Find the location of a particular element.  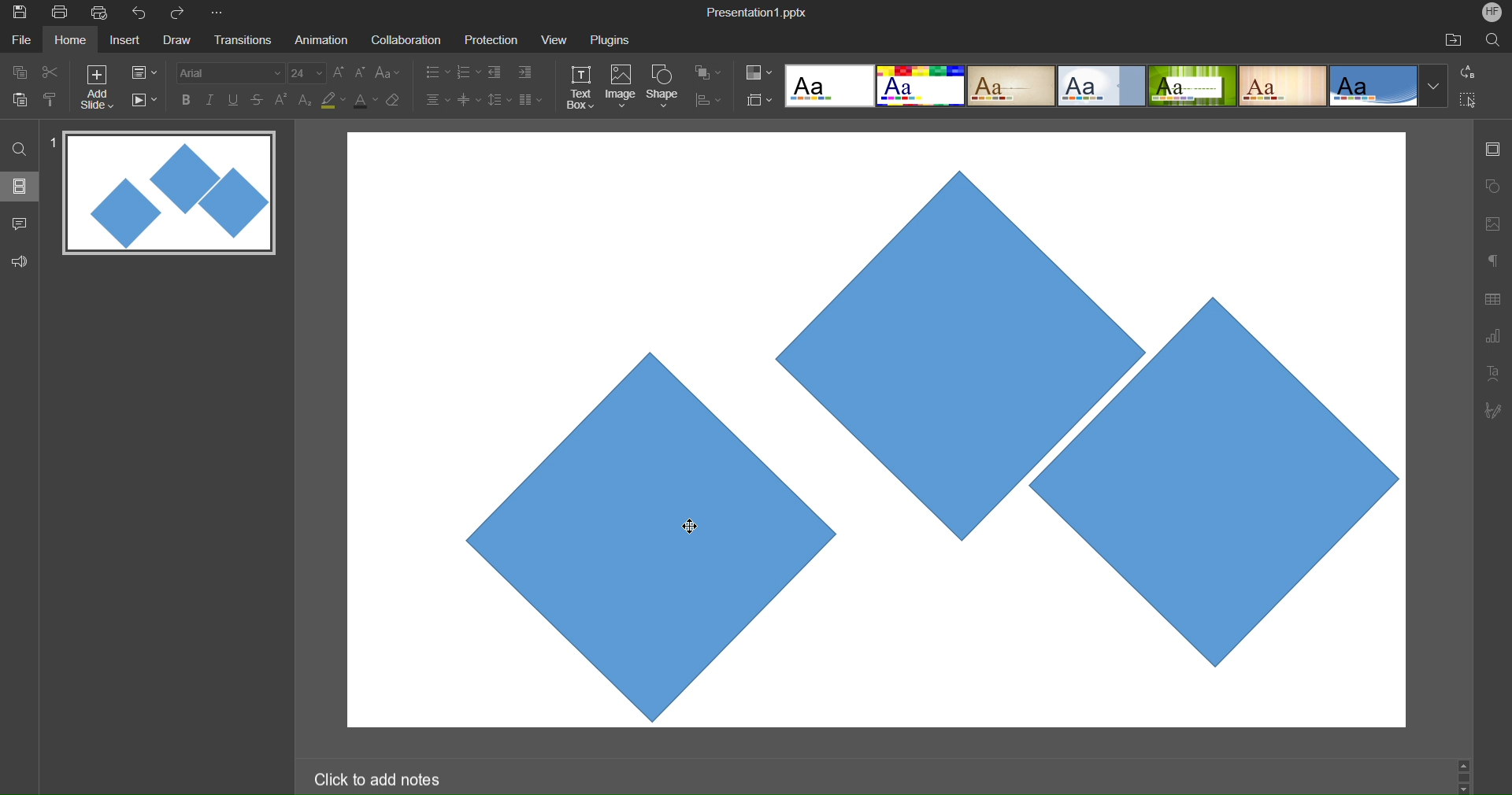

Slide Settings is located at coordinates (1491, 149).